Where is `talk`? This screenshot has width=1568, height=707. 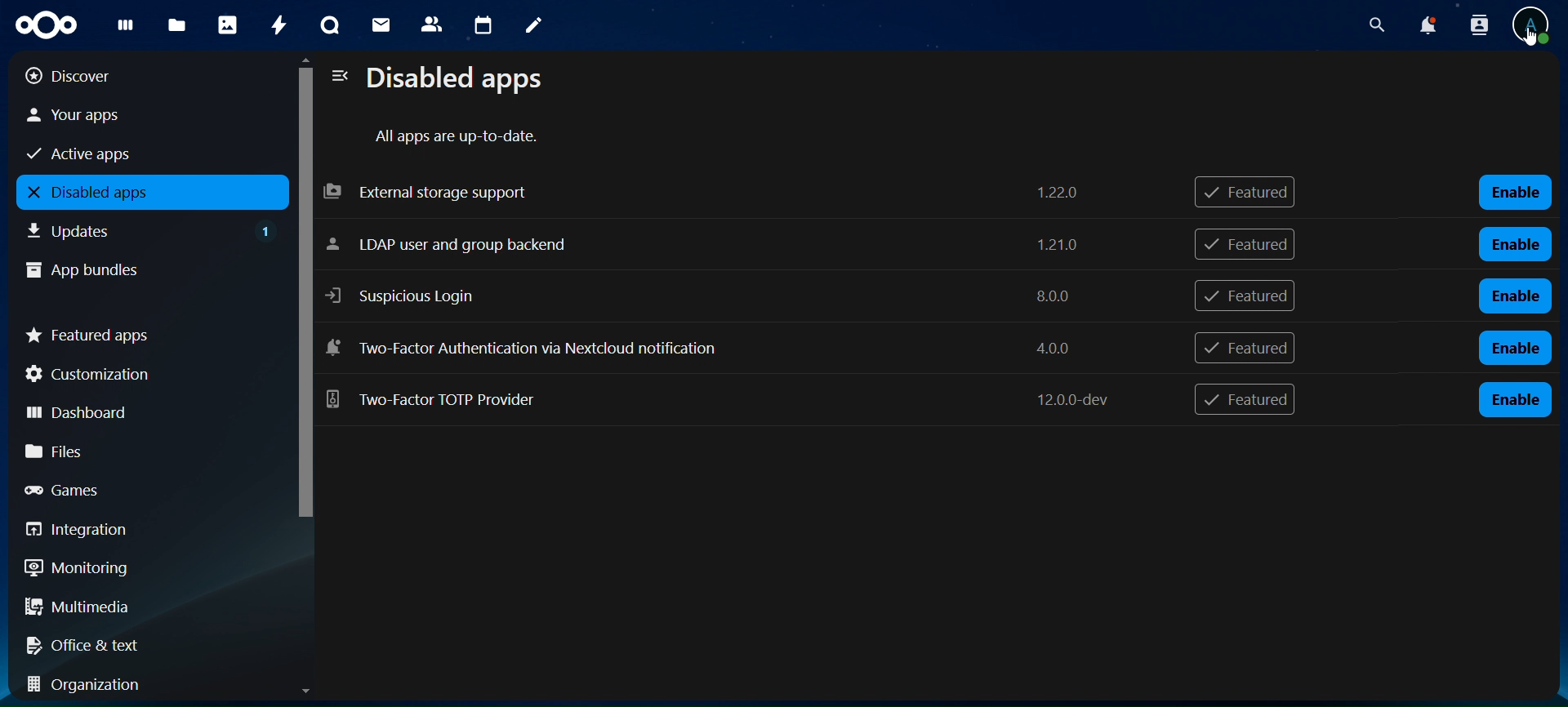 talk is located at coordinates (327, 26).